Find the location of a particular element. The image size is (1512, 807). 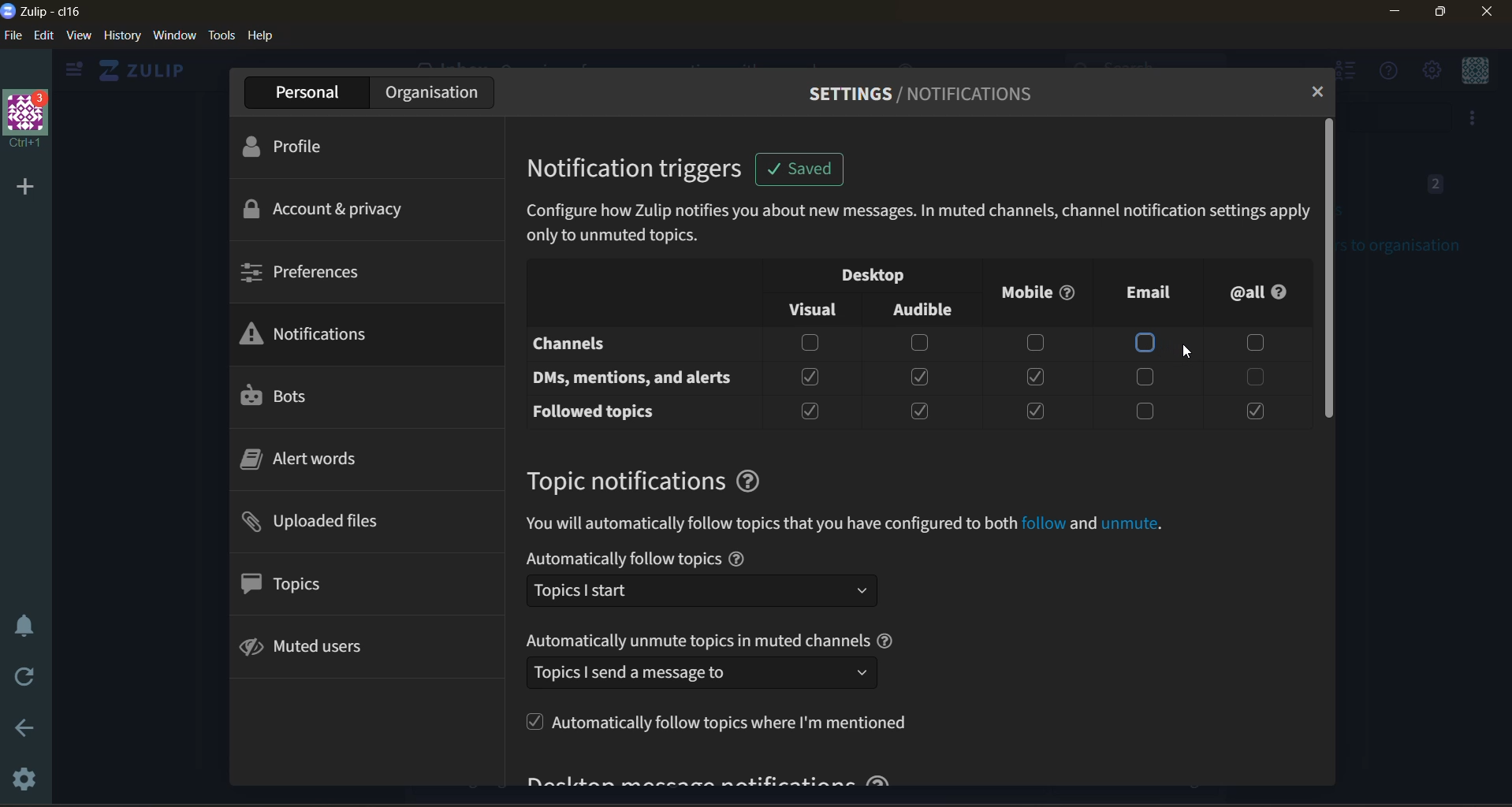

checkbox is located at coordinates (1249, 342).